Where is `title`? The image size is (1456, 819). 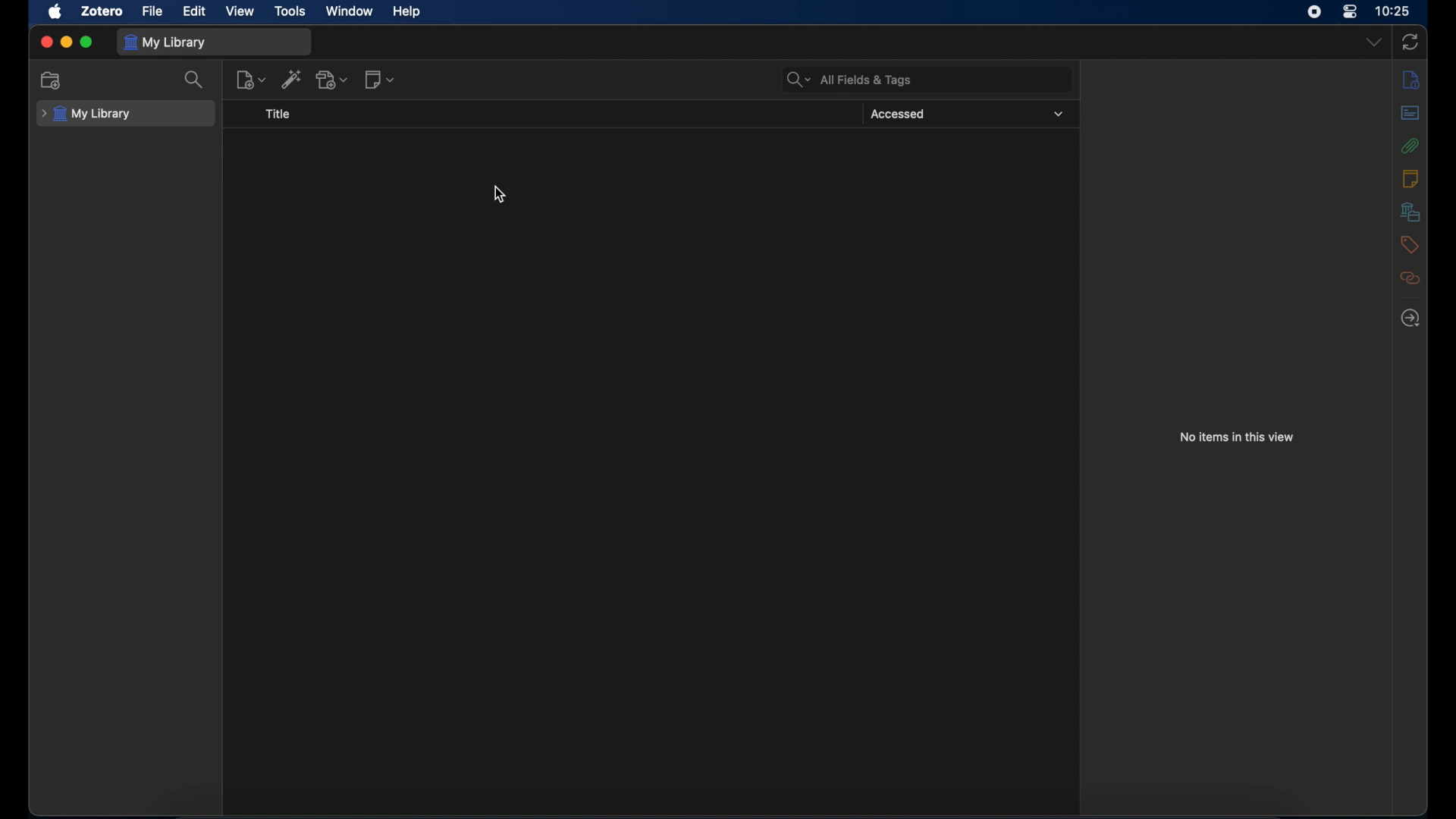
title is located at coordinates (278, 115).